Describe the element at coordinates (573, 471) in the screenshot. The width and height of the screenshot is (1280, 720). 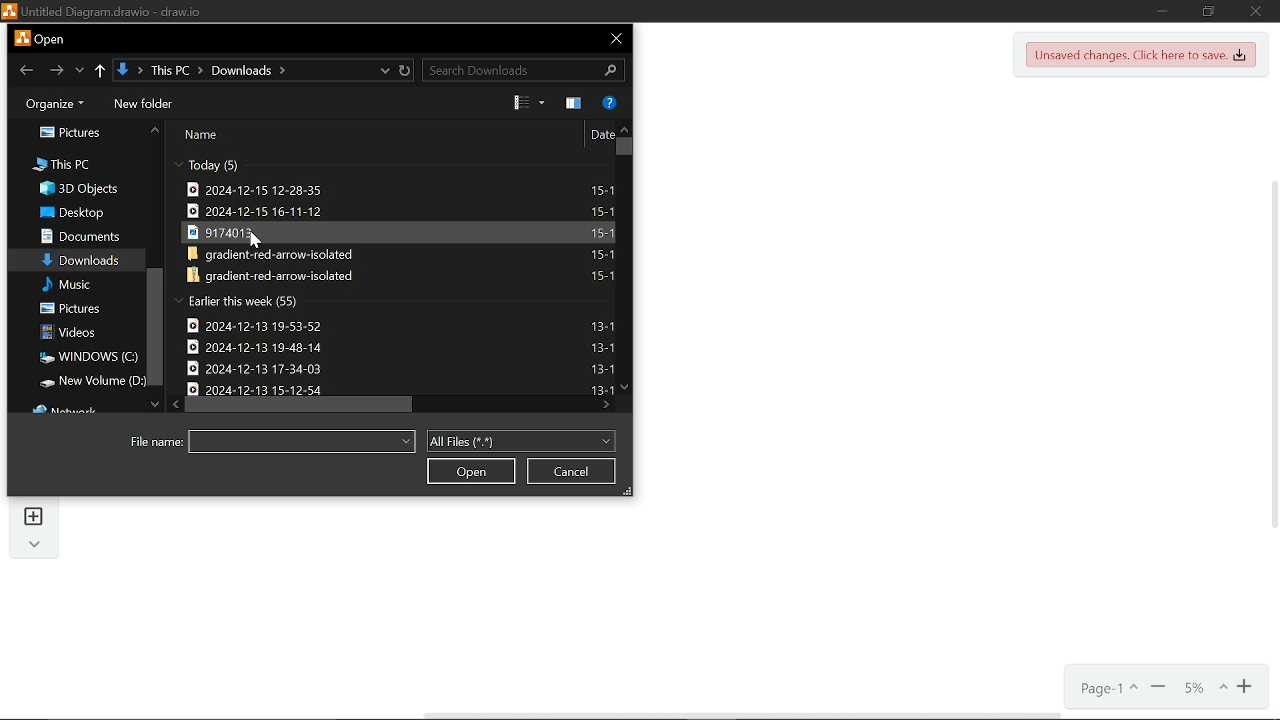
I see `Cancel` at that location.